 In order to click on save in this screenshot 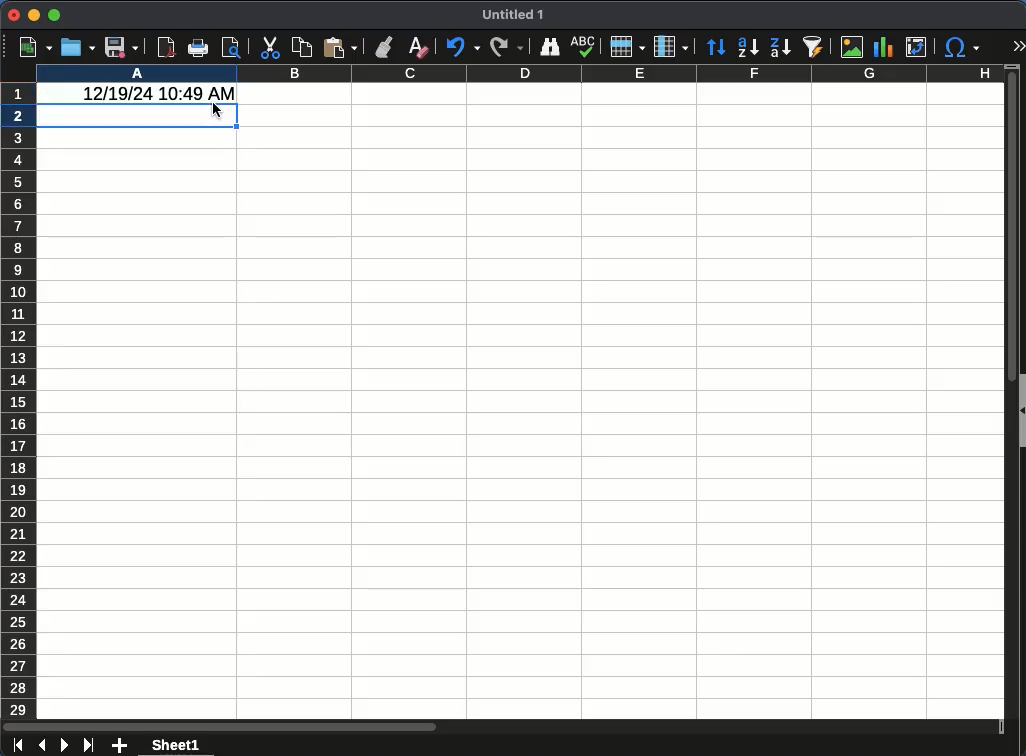, I will do `click(121, 47)`.